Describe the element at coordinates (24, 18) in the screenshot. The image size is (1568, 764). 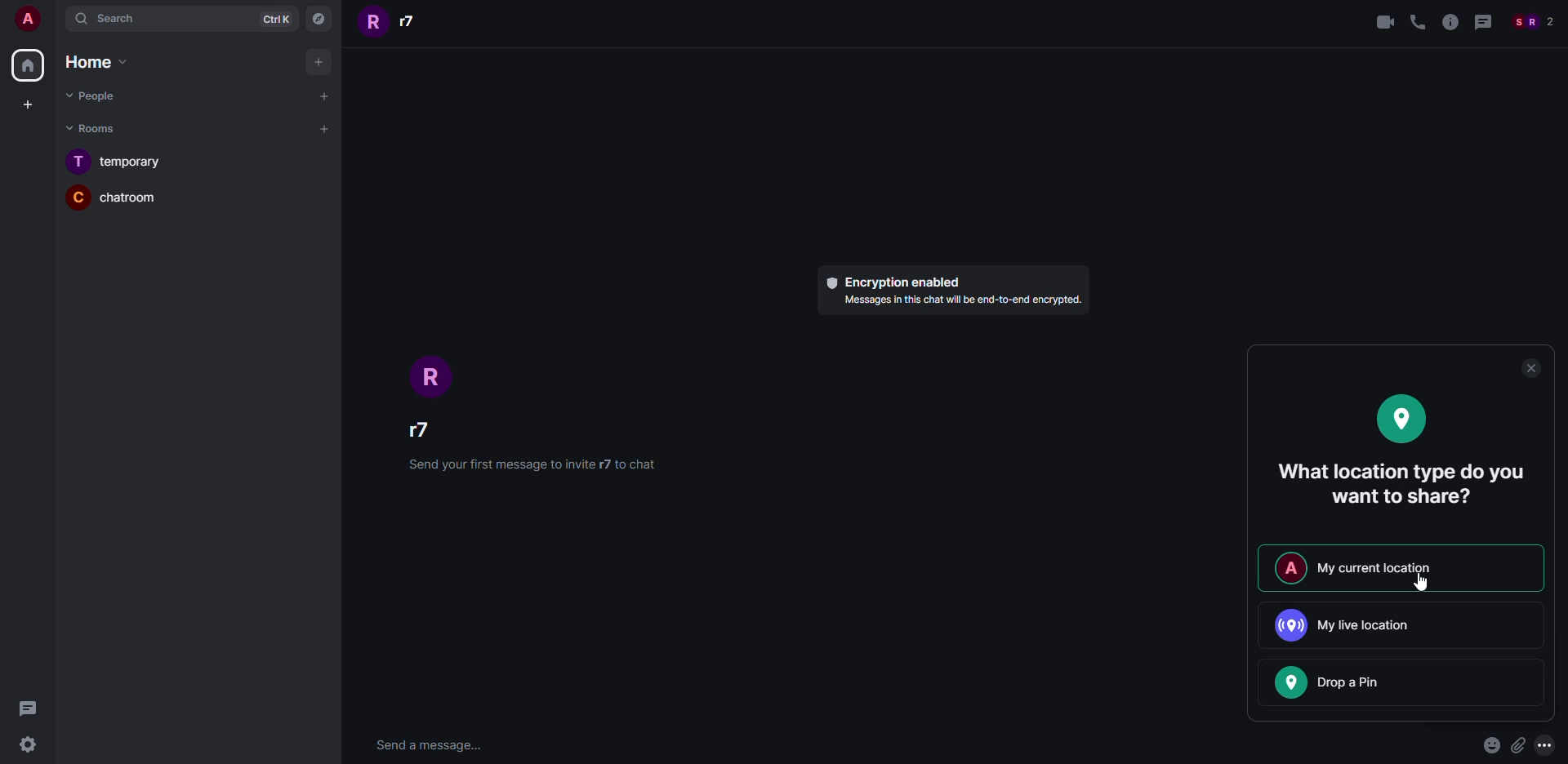
I see `User` at that location.